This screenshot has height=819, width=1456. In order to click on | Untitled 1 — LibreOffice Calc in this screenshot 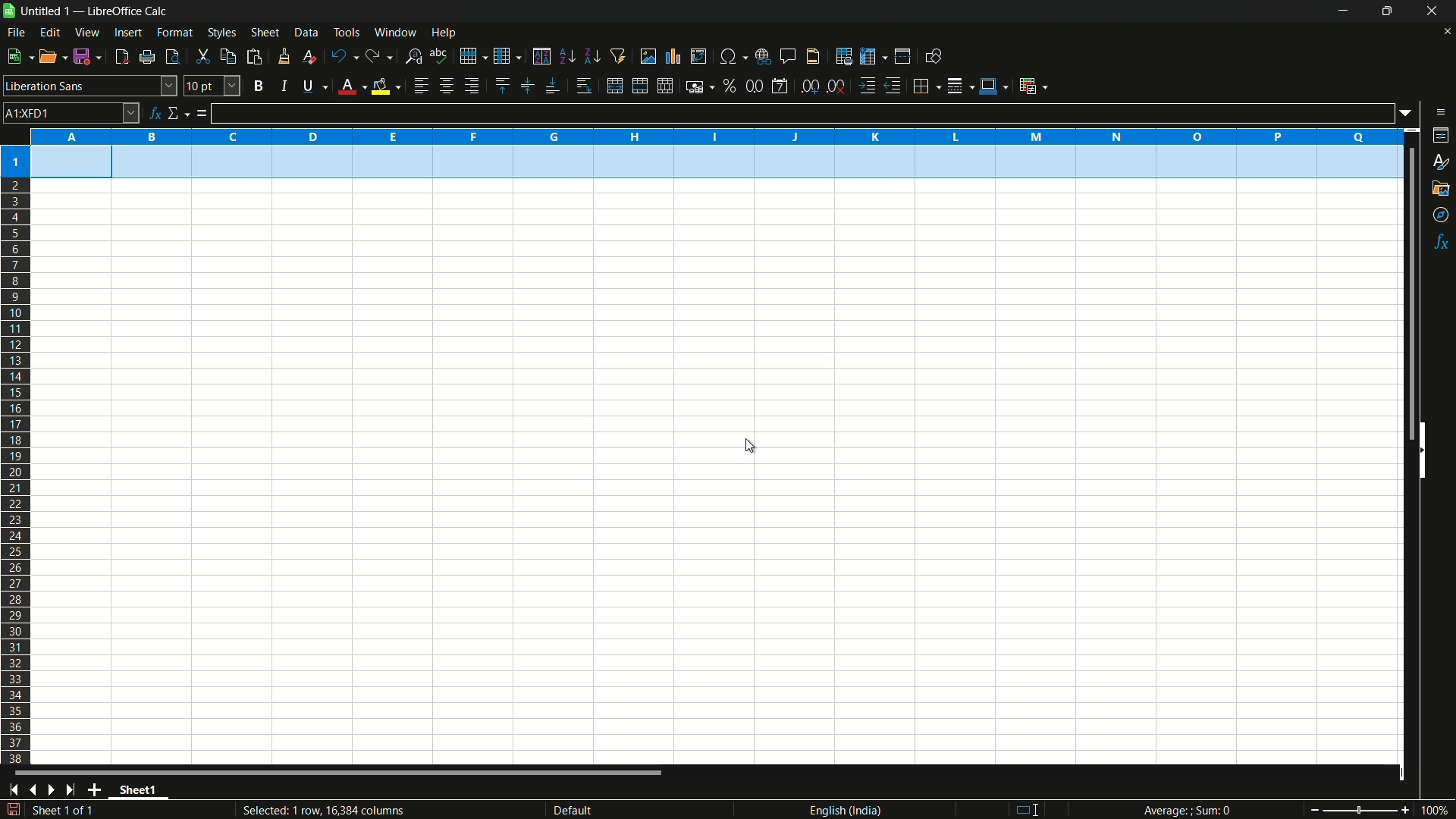, I will do `click(92, 10)`.